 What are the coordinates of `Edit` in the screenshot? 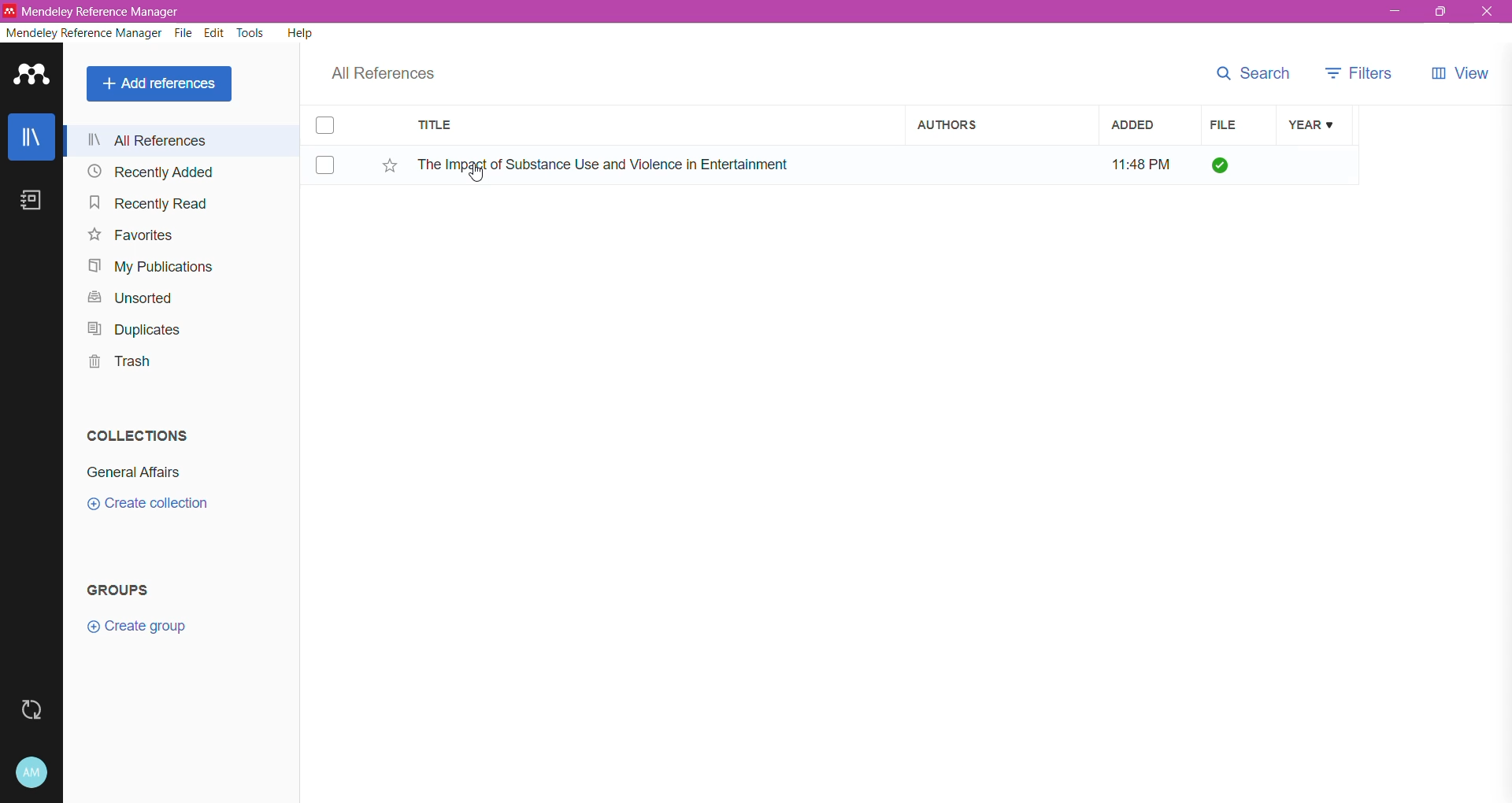 It's located at (215, 31).